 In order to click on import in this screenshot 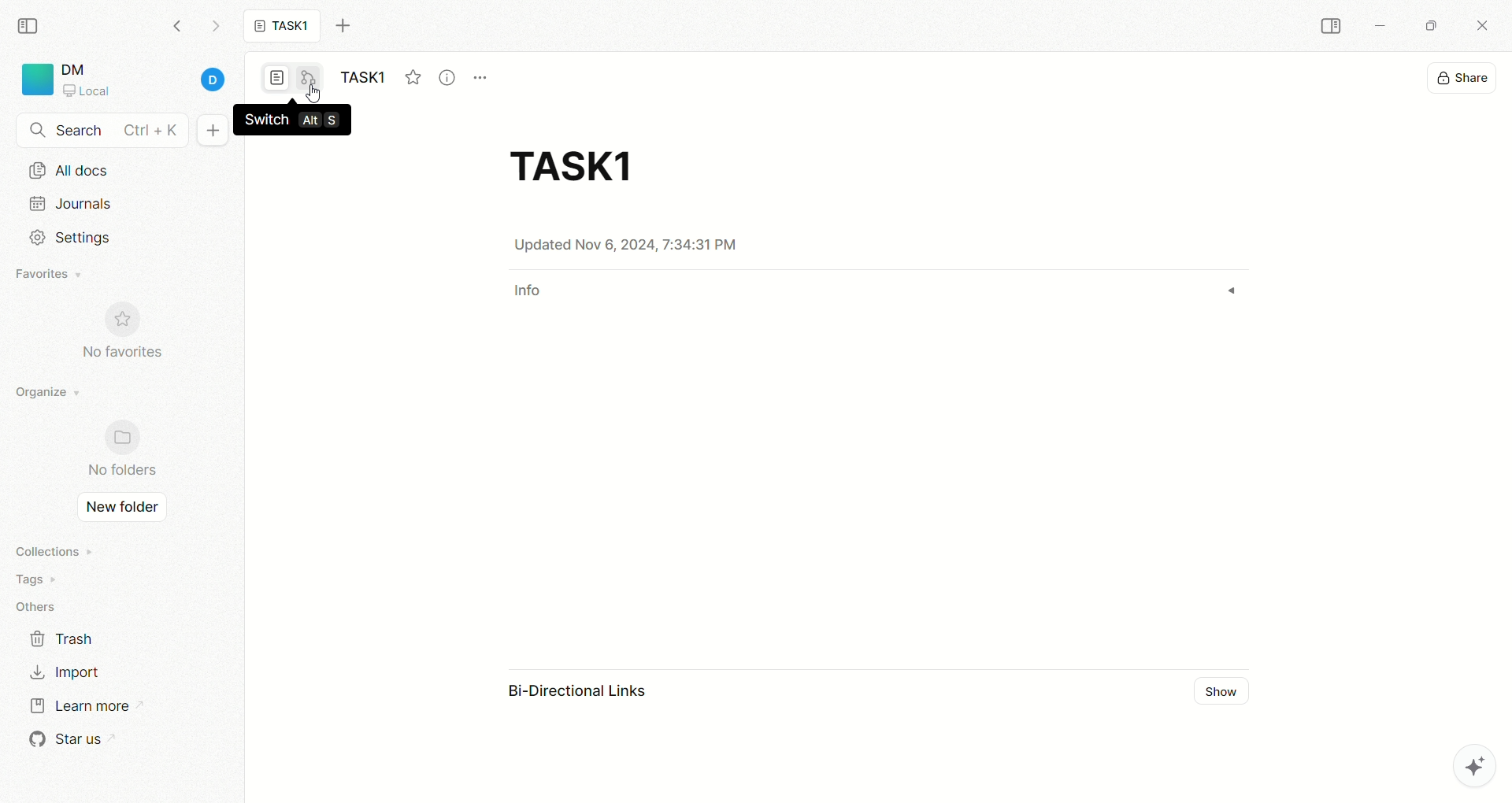, I will do `click(63, 672)`.